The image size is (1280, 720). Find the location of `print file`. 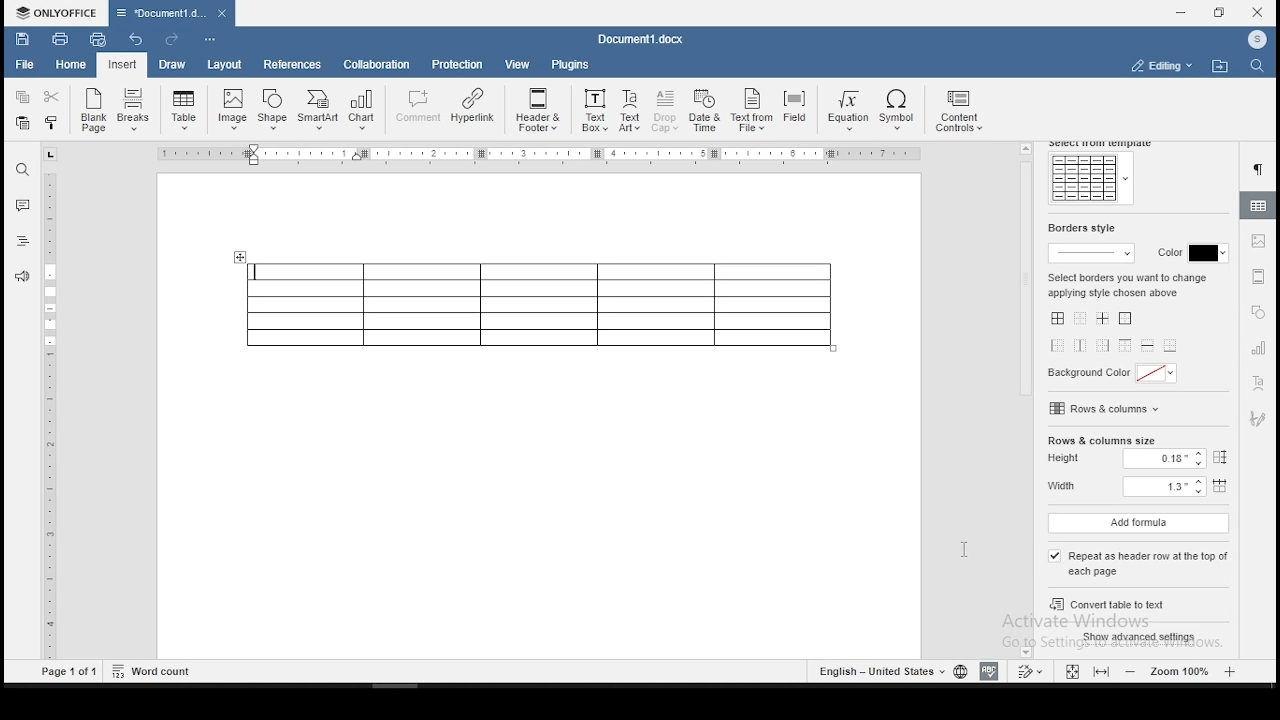

print file is located at coordinates (60, 38).